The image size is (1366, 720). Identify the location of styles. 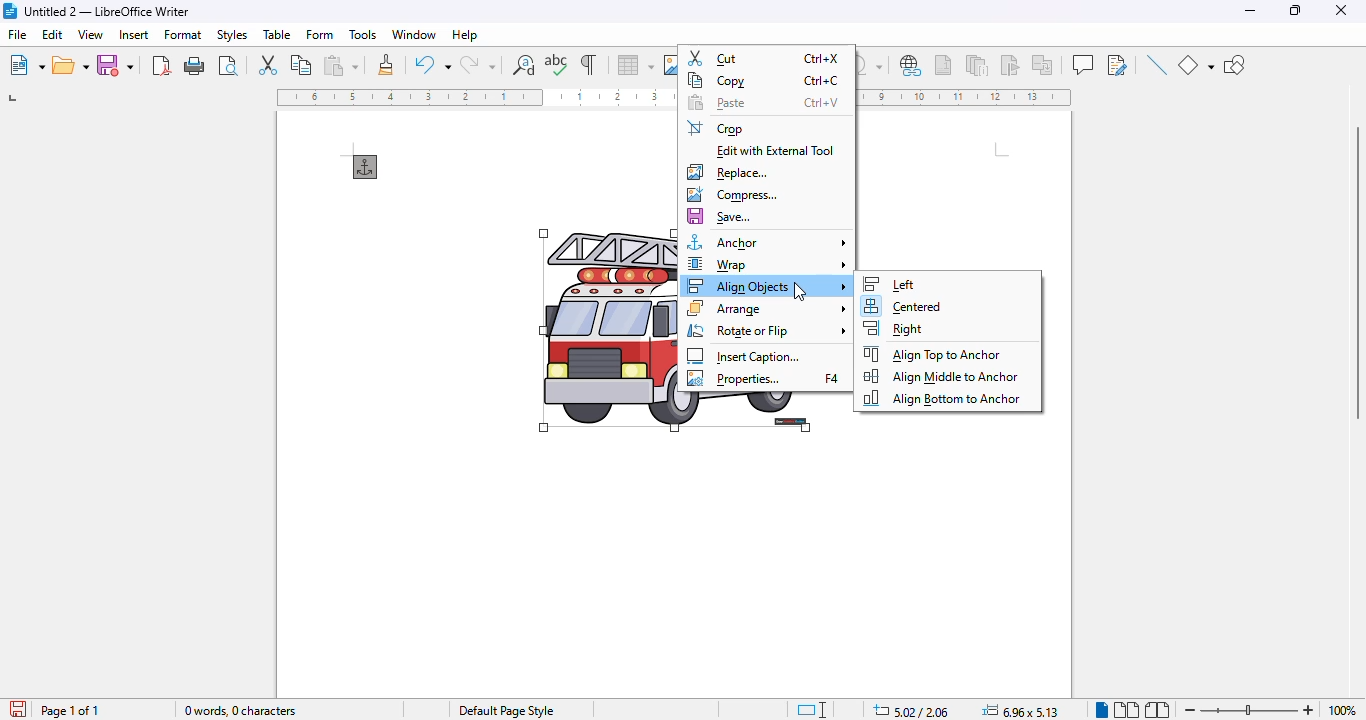
(232, 35).